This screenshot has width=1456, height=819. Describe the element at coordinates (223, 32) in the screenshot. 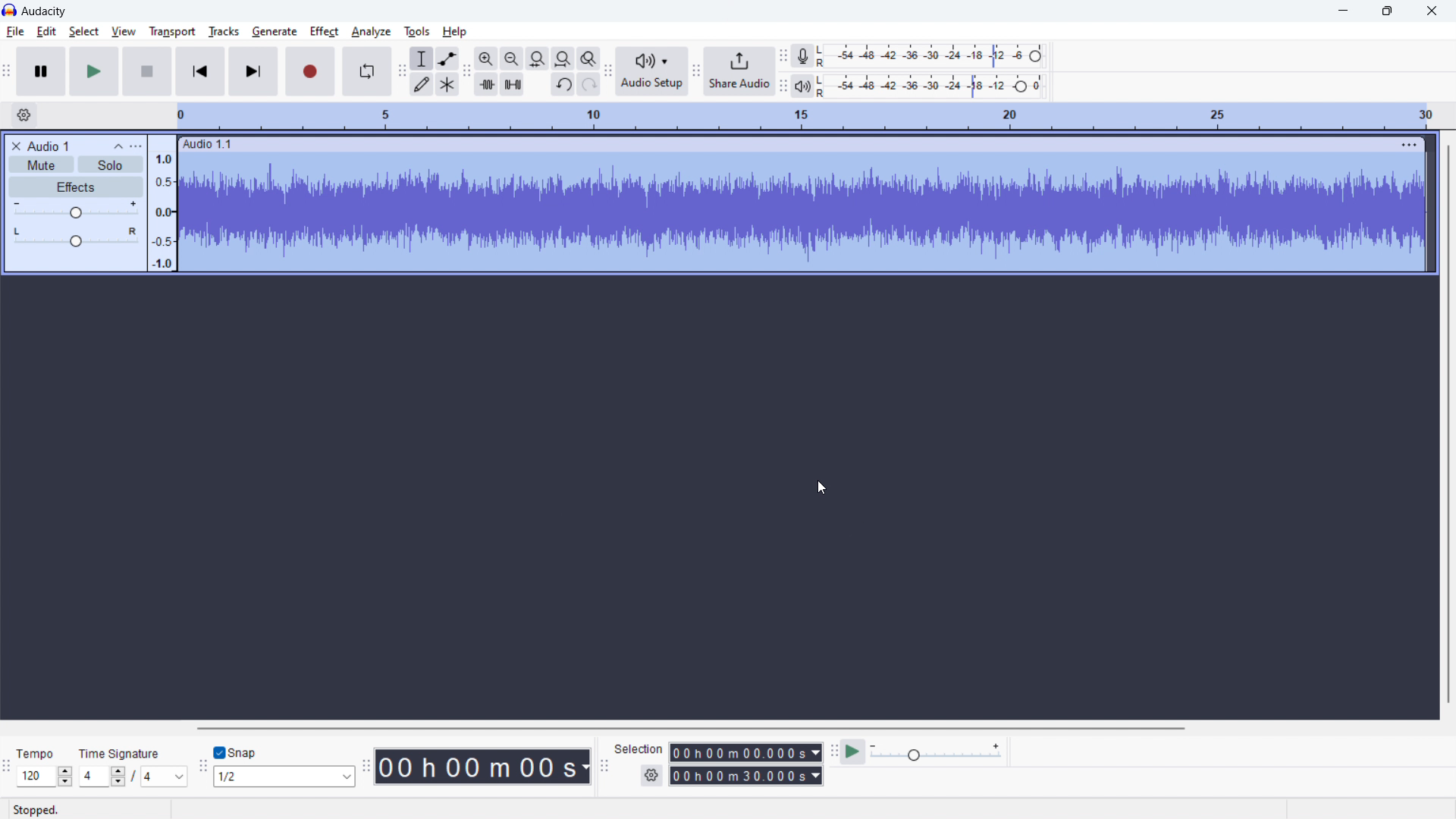

I see `tracks` at that location.